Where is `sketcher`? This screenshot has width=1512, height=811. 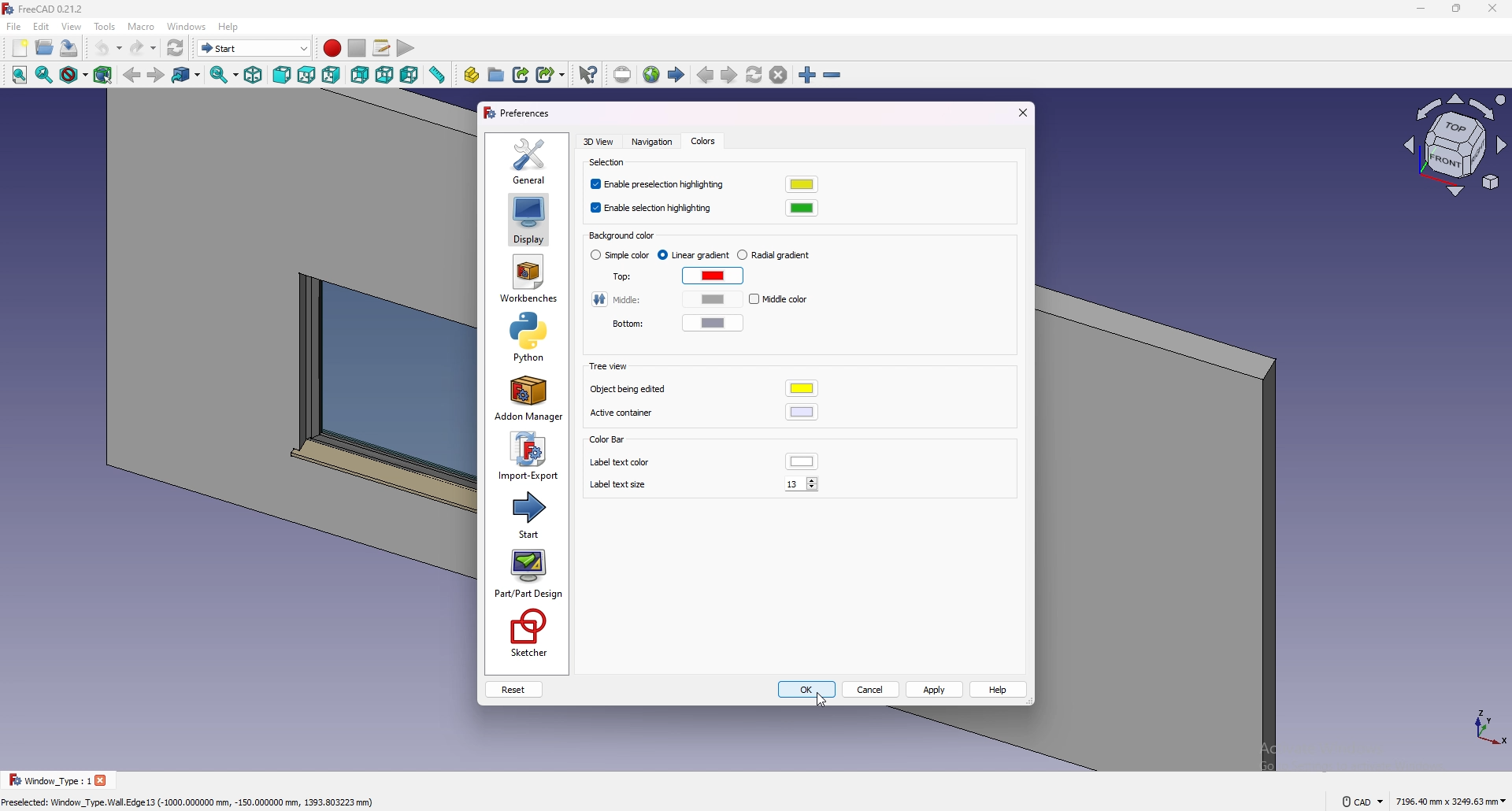
sketcher is located at coordinates (527, 634).